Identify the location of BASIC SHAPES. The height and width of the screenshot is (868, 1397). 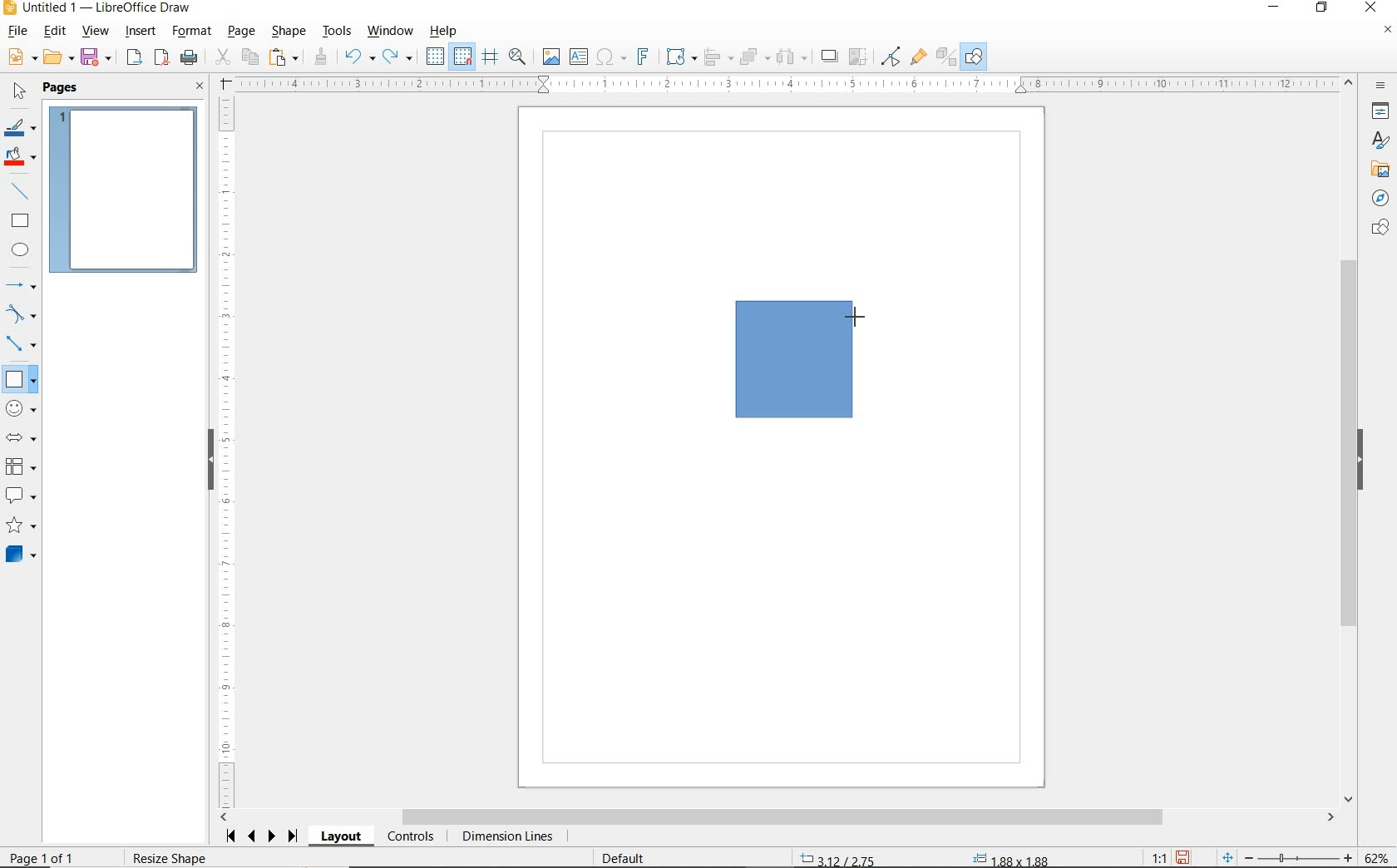
(20, 378).